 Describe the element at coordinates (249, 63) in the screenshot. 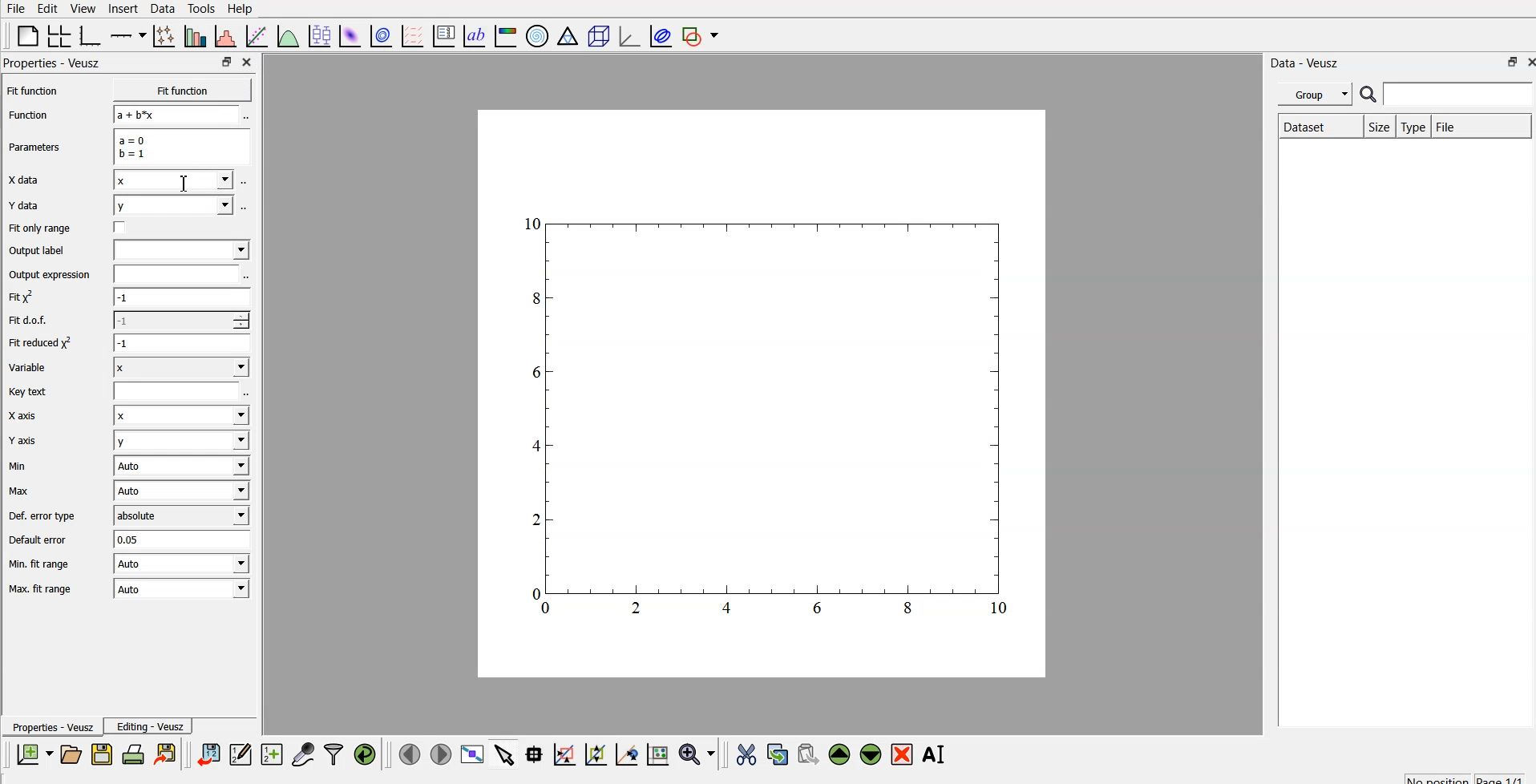

I see `close` at that location.